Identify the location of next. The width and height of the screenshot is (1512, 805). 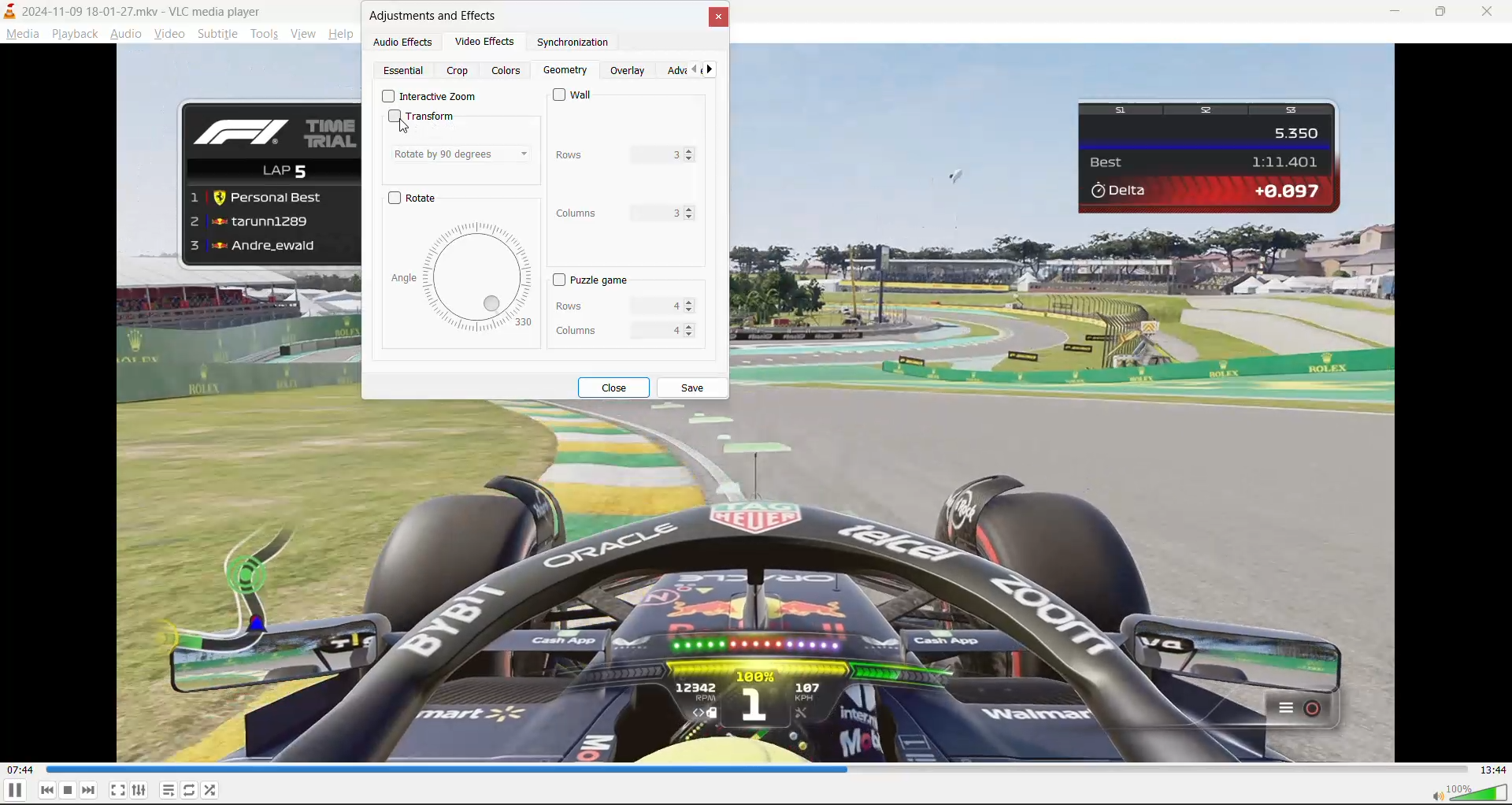
(89, 789).